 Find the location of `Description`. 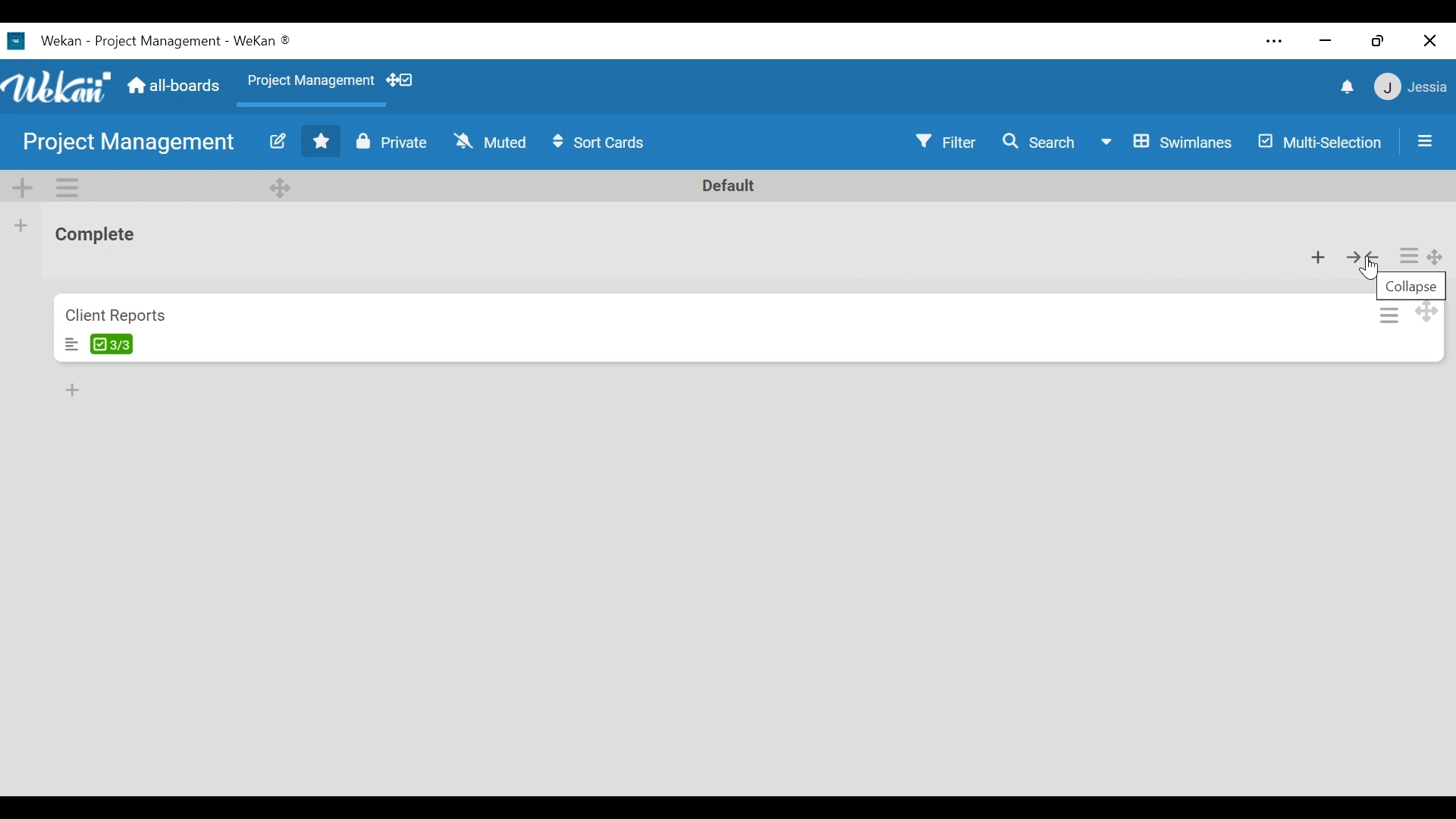

Description is located at coordinates (70, 344).